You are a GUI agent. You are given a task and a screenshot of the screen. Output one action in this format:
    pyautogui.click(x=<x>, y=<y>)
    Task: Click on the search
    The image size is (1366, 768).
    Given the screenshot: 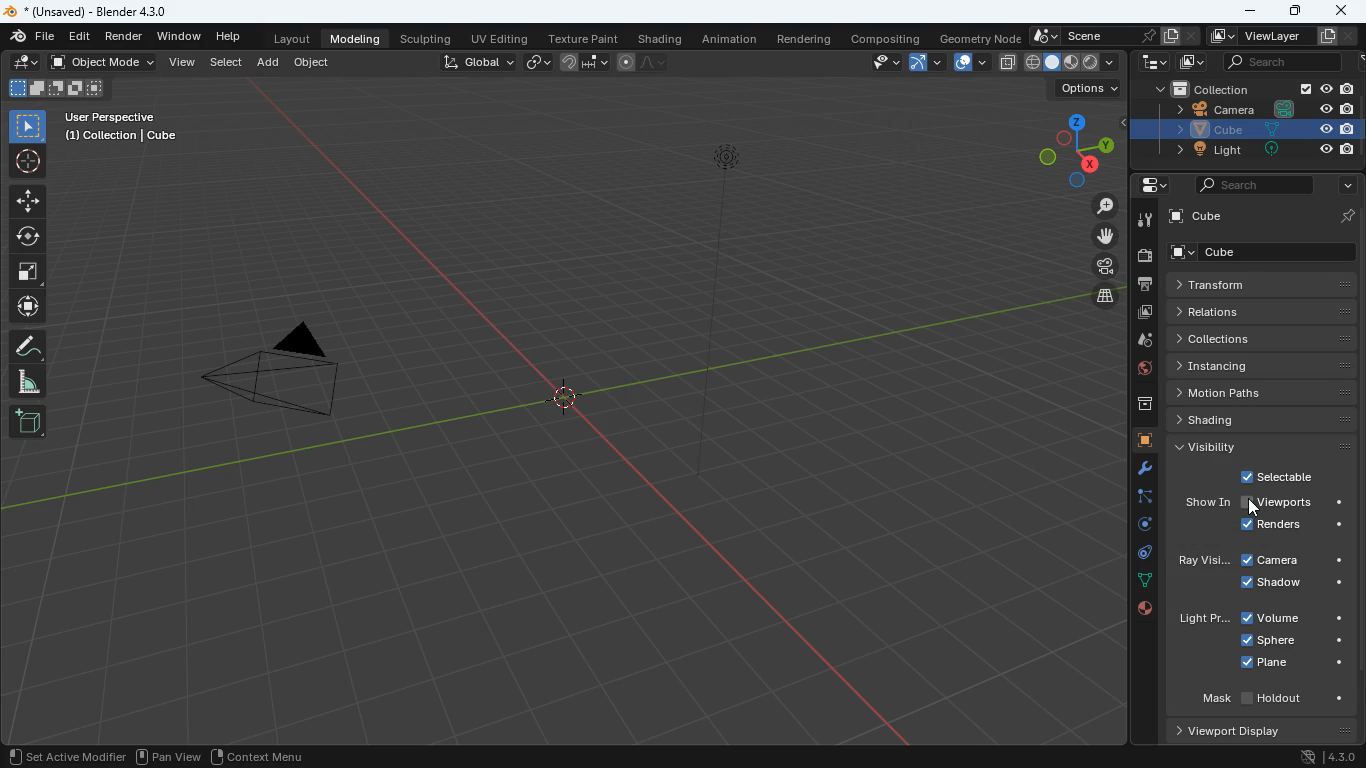 What is the action you would take?
    pyautogui.click(x=1244, y=185)
    